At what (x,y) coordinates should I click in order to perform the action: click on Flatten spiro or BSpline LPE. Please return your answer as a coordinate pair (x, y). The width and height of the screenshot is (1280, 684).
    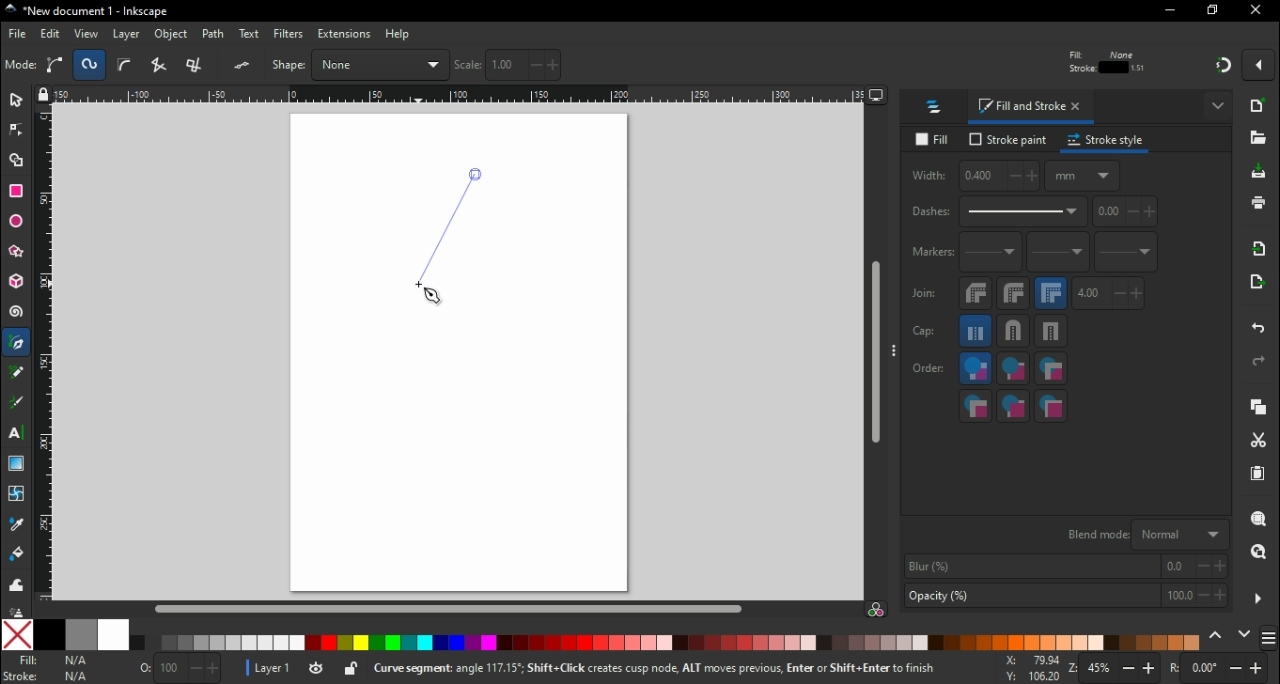
    Looking at the image, I should click on (244, 65).